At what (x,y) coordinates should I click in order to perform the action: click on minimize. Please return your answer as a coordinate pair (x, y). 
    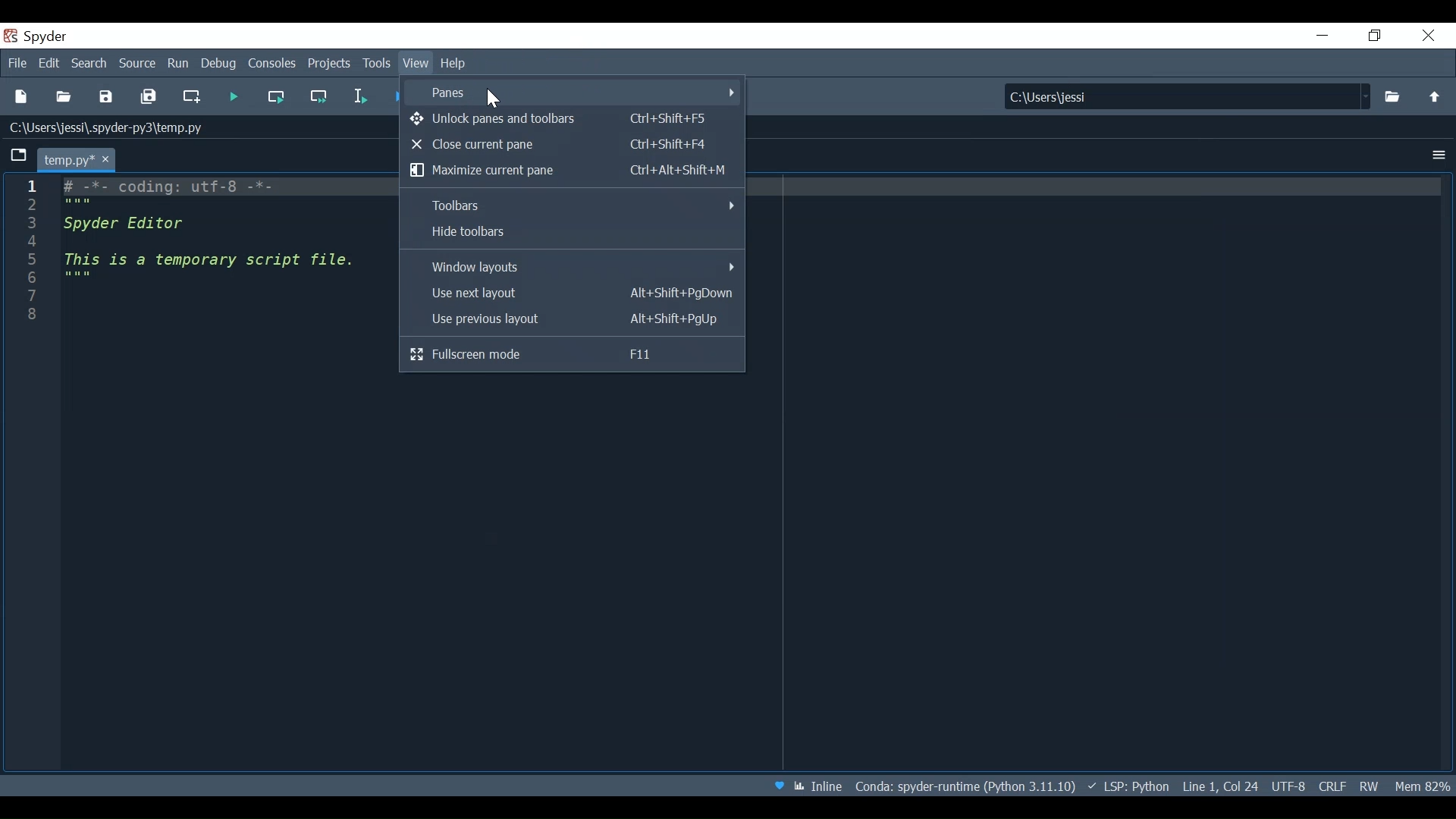
    Looking at the image, I should click on (1323, 35).